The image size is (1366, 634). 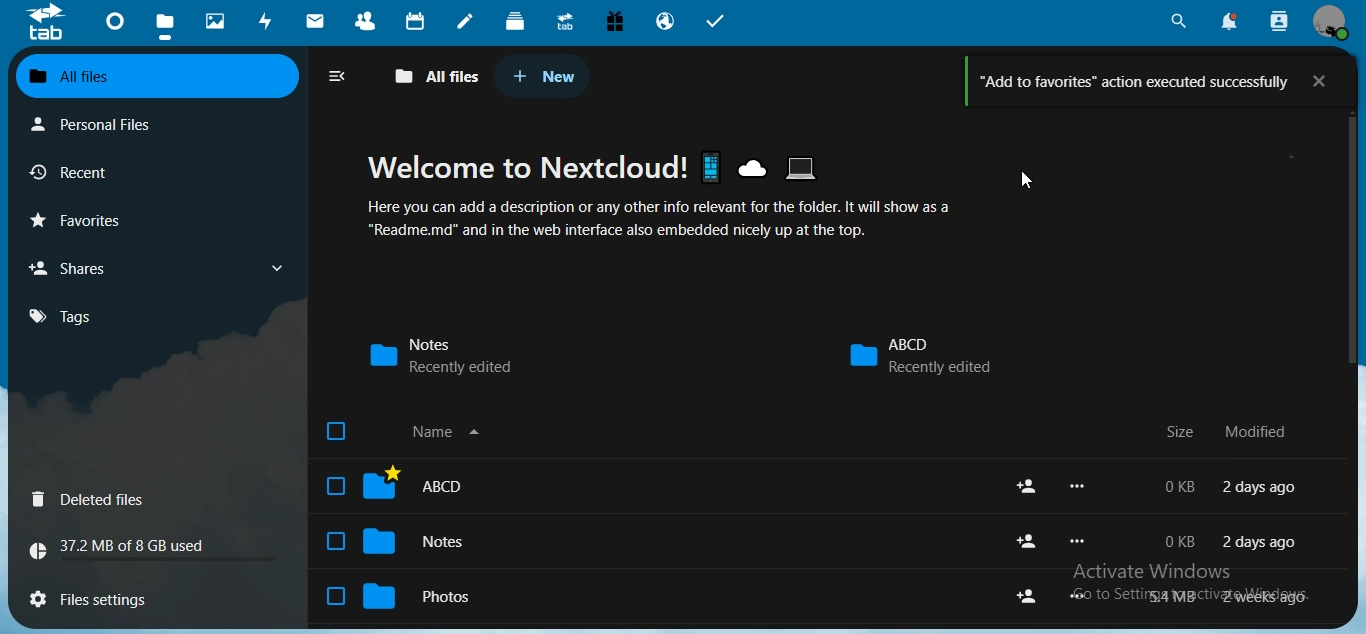 I want to click on name, so click(x=409, y=432).